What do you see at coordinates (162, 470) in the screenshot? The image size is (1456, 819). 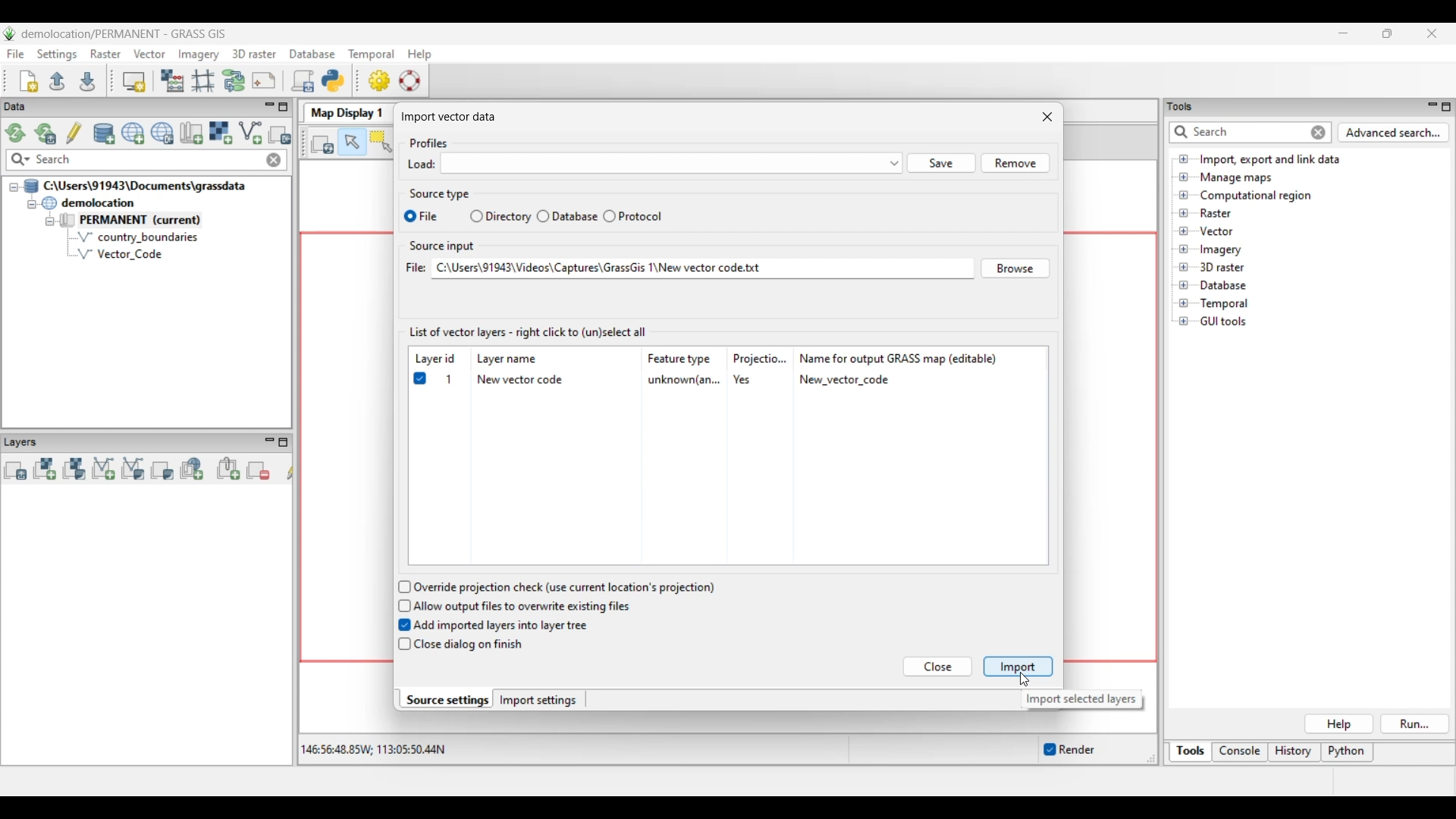 I see `Add various overlays` at bounding box center [162, 470].